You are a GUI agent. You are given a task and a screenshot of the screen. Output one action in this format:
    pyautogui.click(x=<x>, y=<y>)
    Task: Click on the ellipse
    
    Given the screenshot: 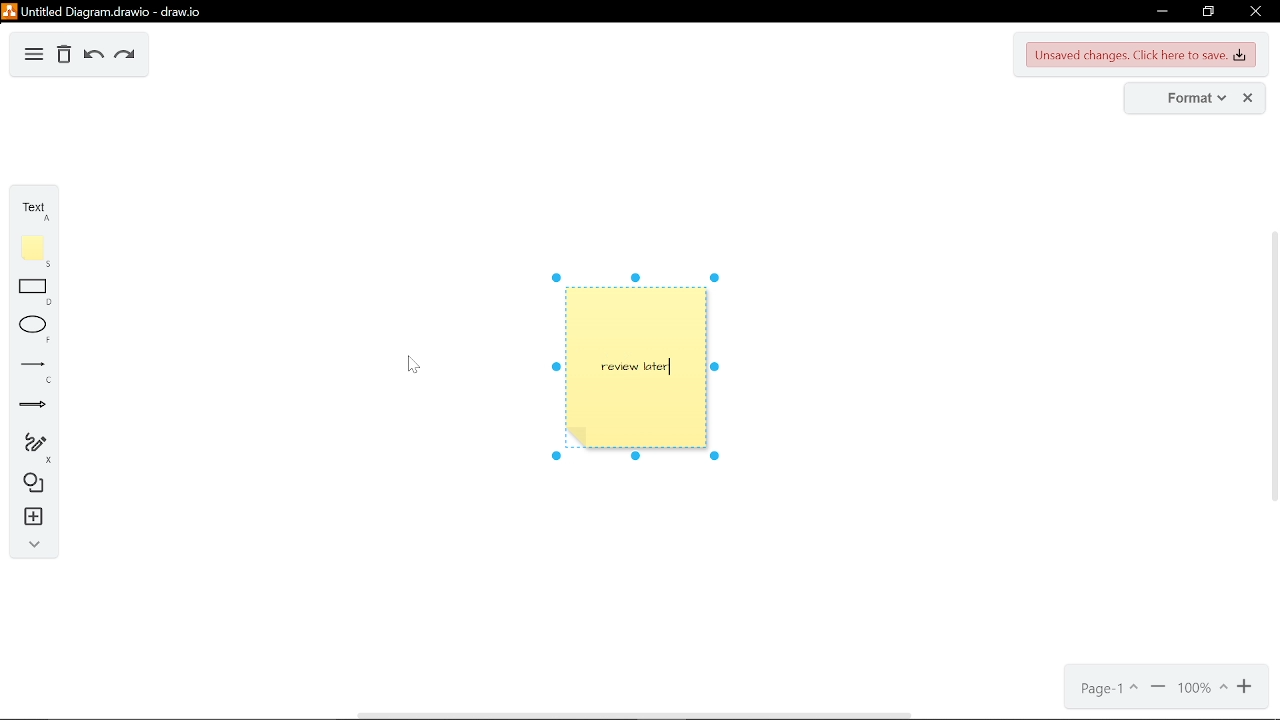 What is the action you would take?
    pyautogui.click(x=32, y=329)
    